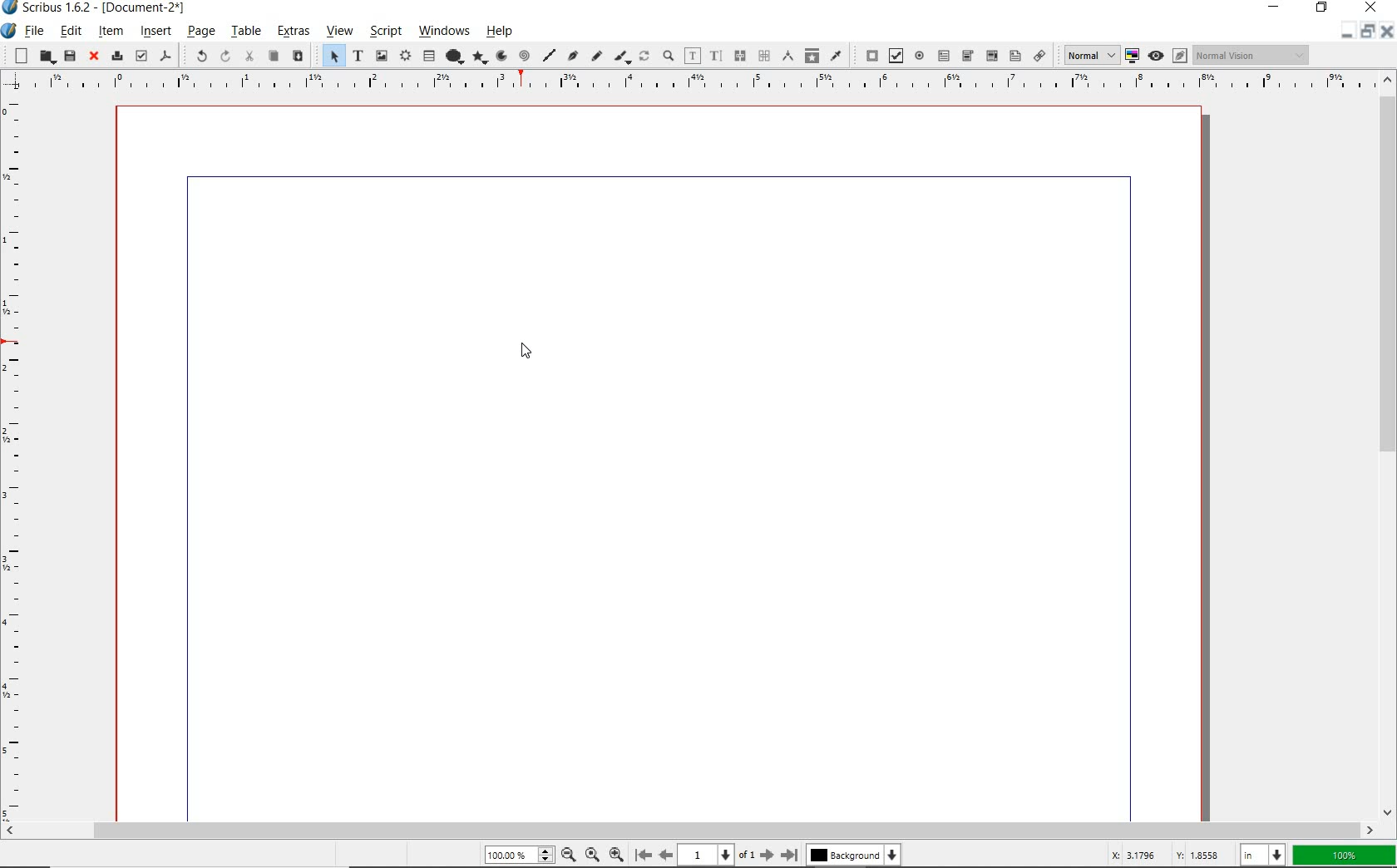 This screenshot has width=1397, height=868. I want to click on toggle color, so click(1133, 55).